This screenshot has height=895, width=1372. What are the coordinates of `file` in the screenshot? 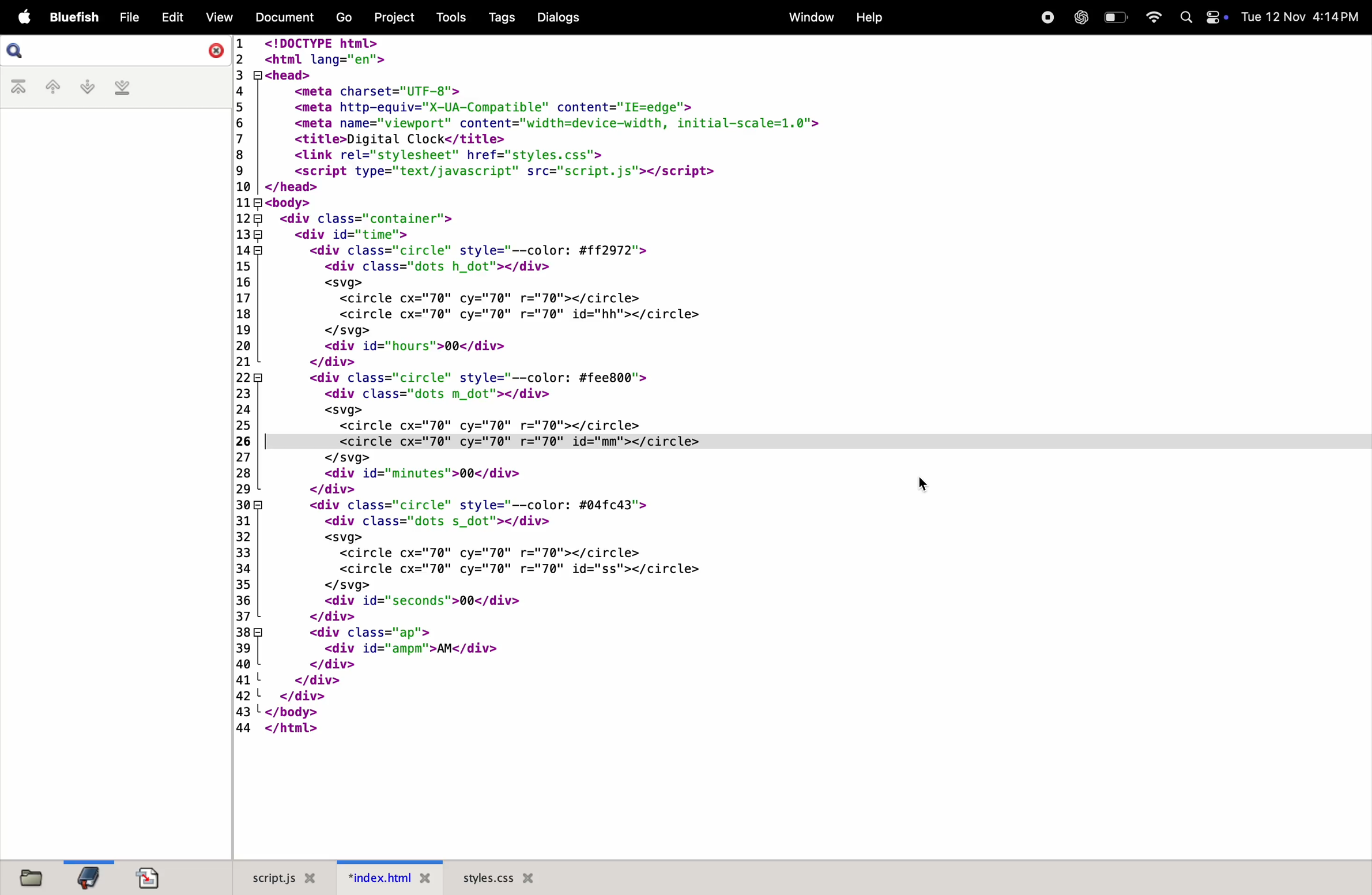 It's located at (35, 877).